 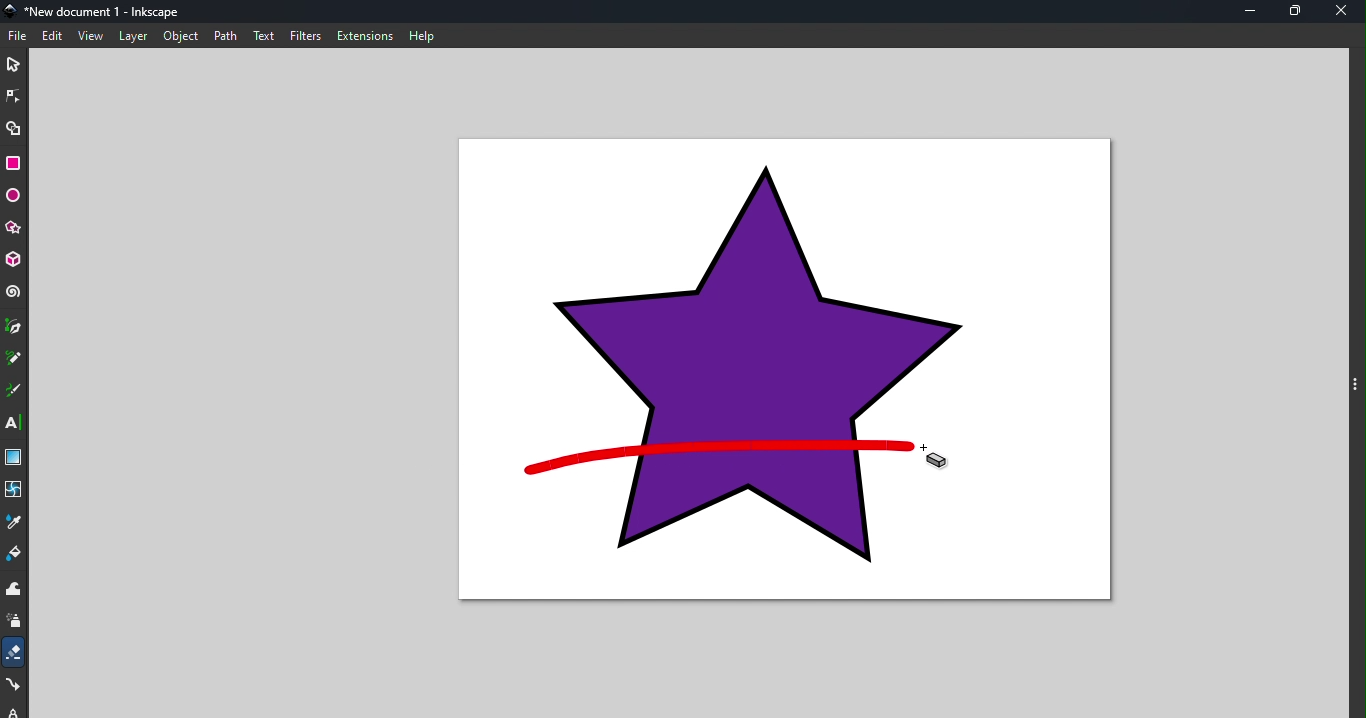 I want to click on minimize tool, so click(x=1249, y=11).